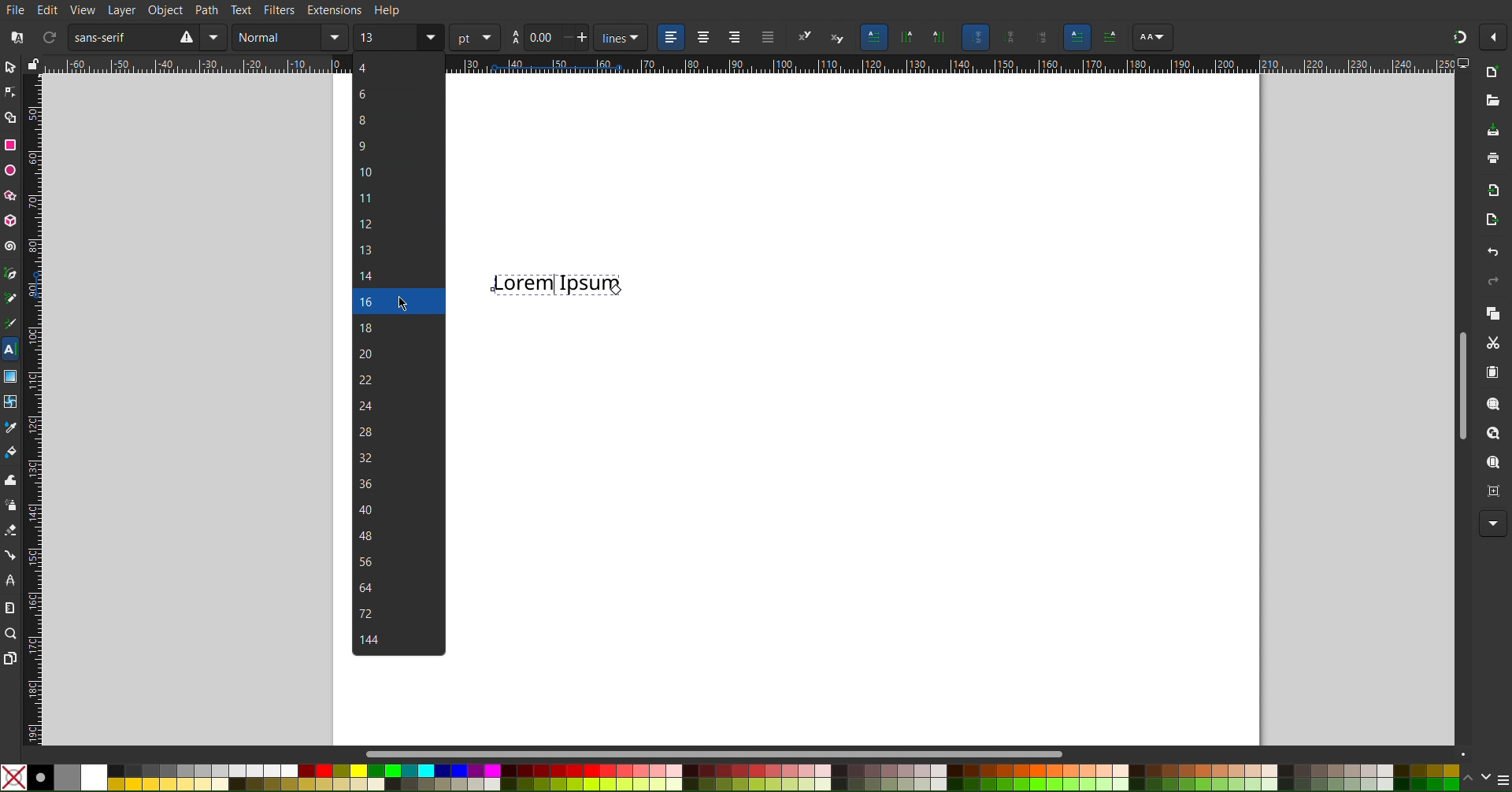  What do you see at coordinates (430, 37) in the screenshot?
I see `size menu` at bounding box center [430, 37].